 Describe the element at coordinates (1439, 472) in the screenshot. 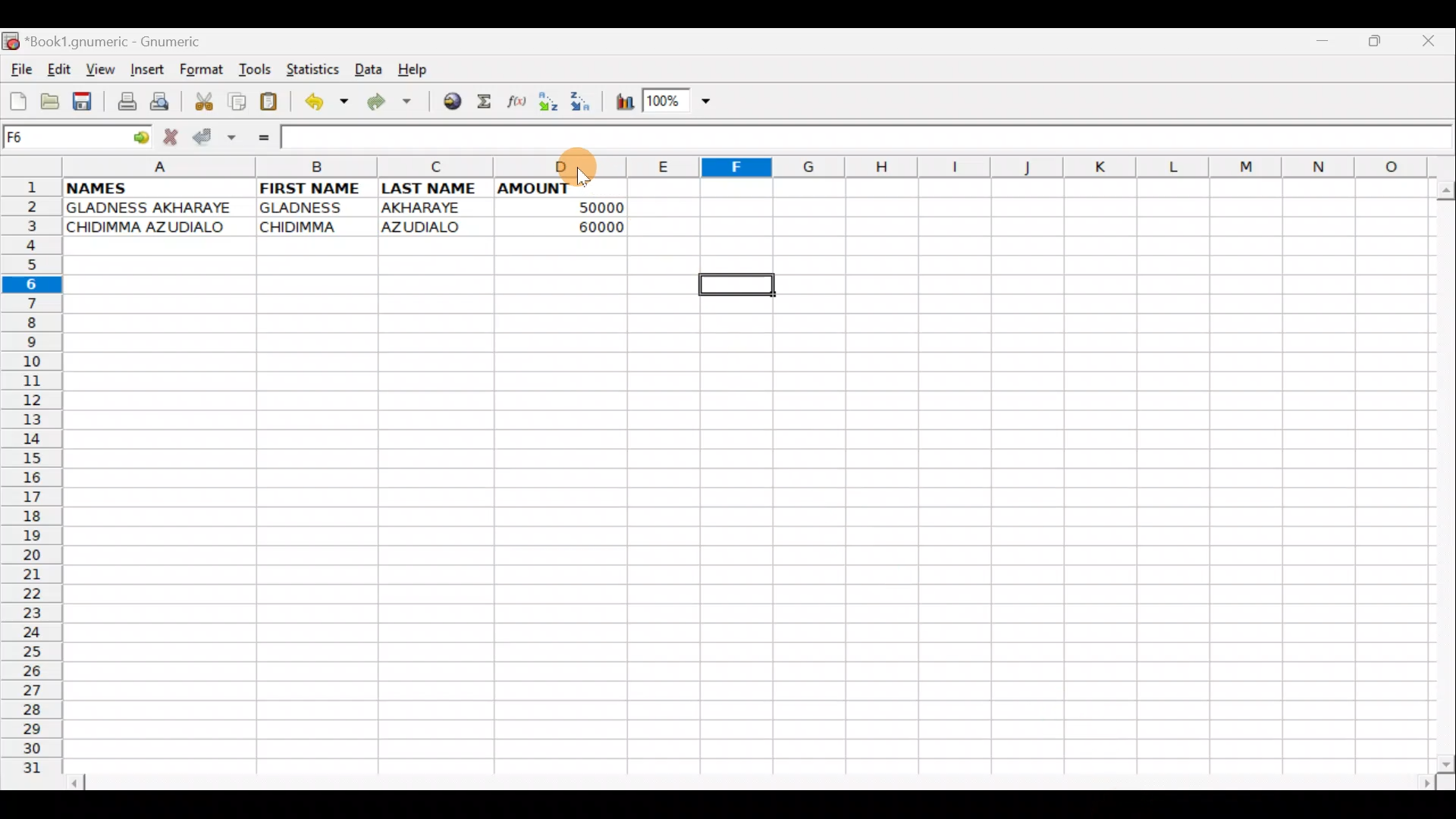

I see `Scroll bar` at that location.